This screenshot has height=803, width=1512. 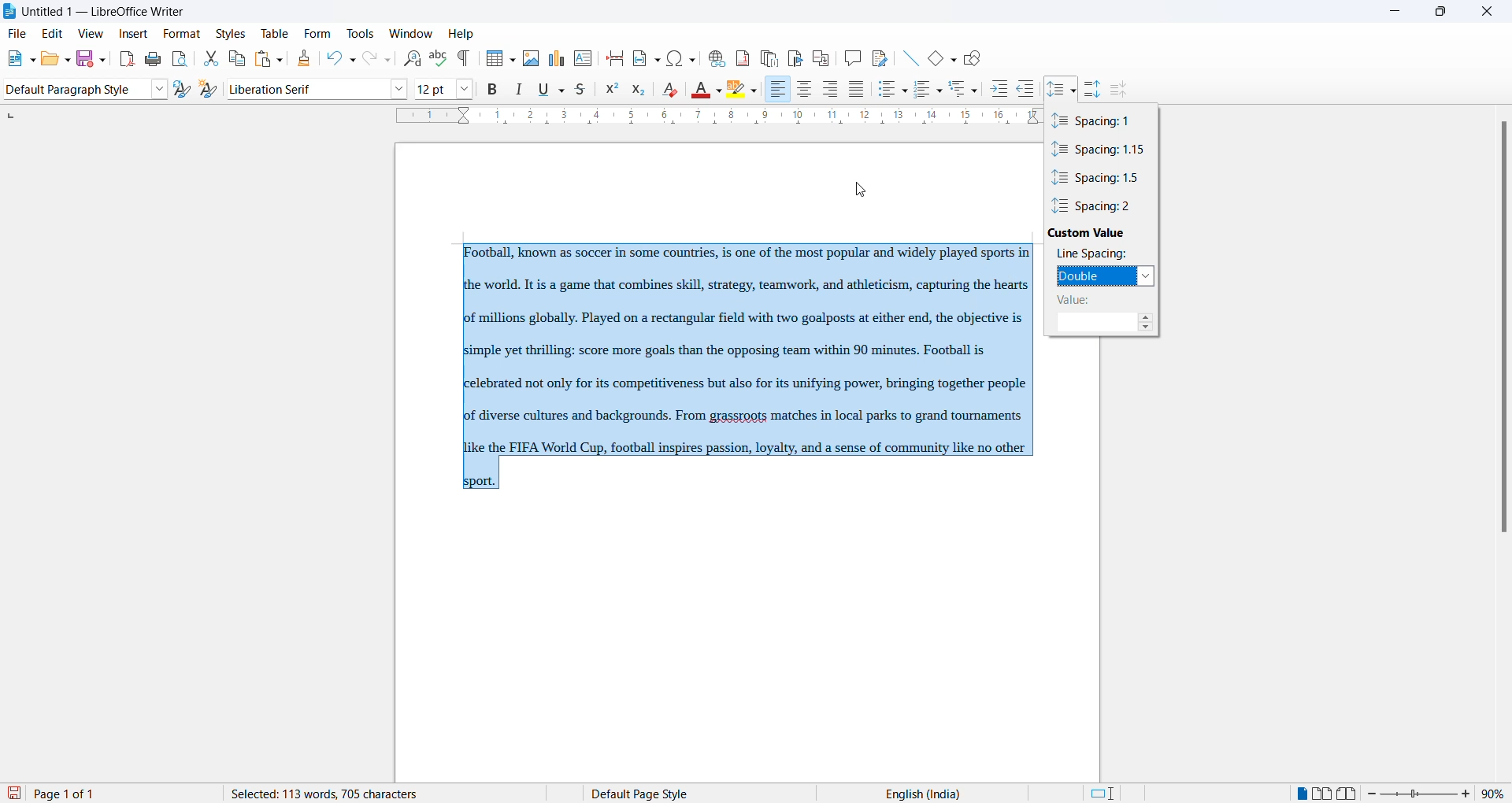 What do you see at coordinates (831, 90) in the screenshot?
I see `text align center` at bounding box center [831, 90].